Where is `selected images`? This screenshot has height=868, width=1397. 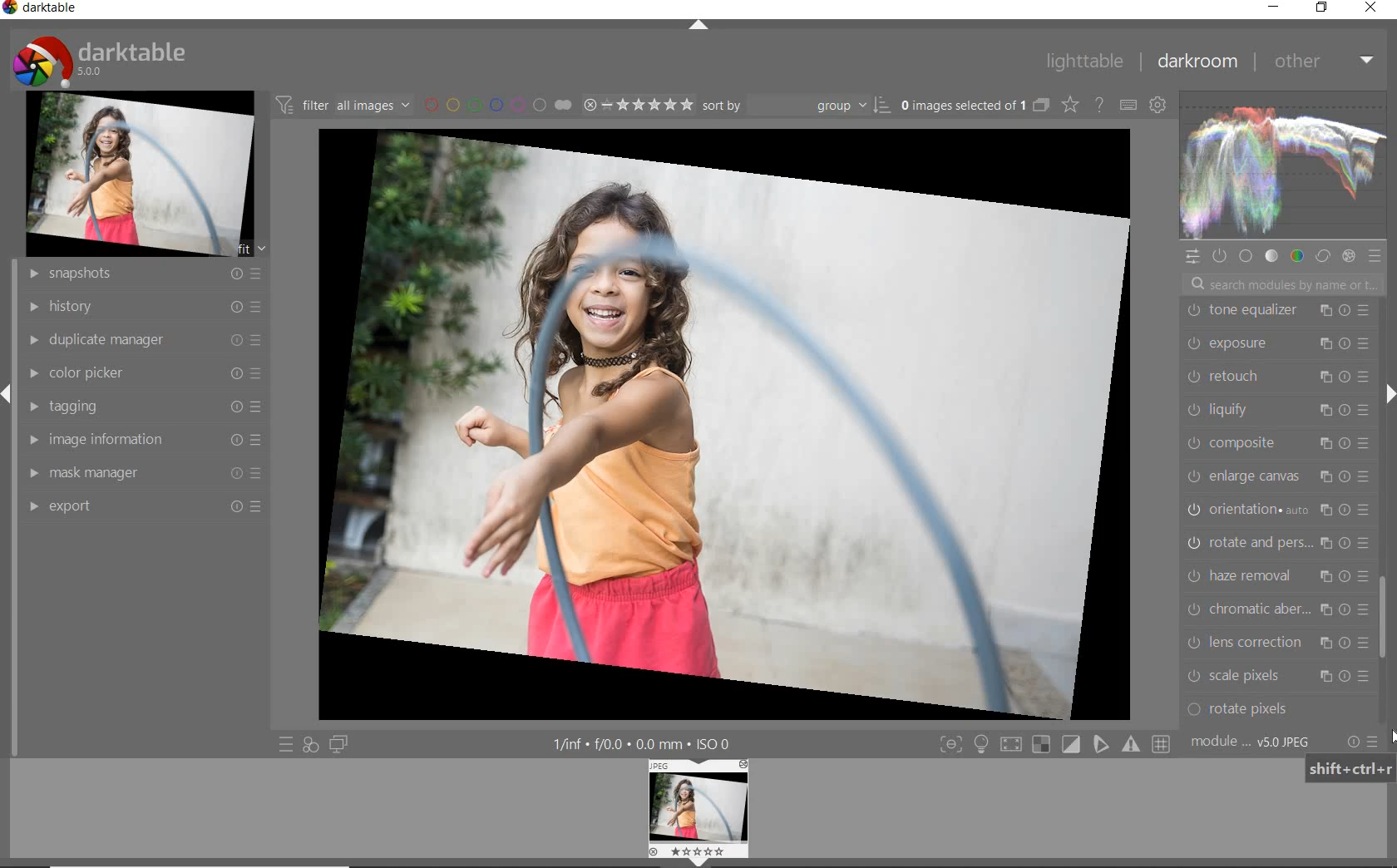 selected images is located at coordinates (964, 106).